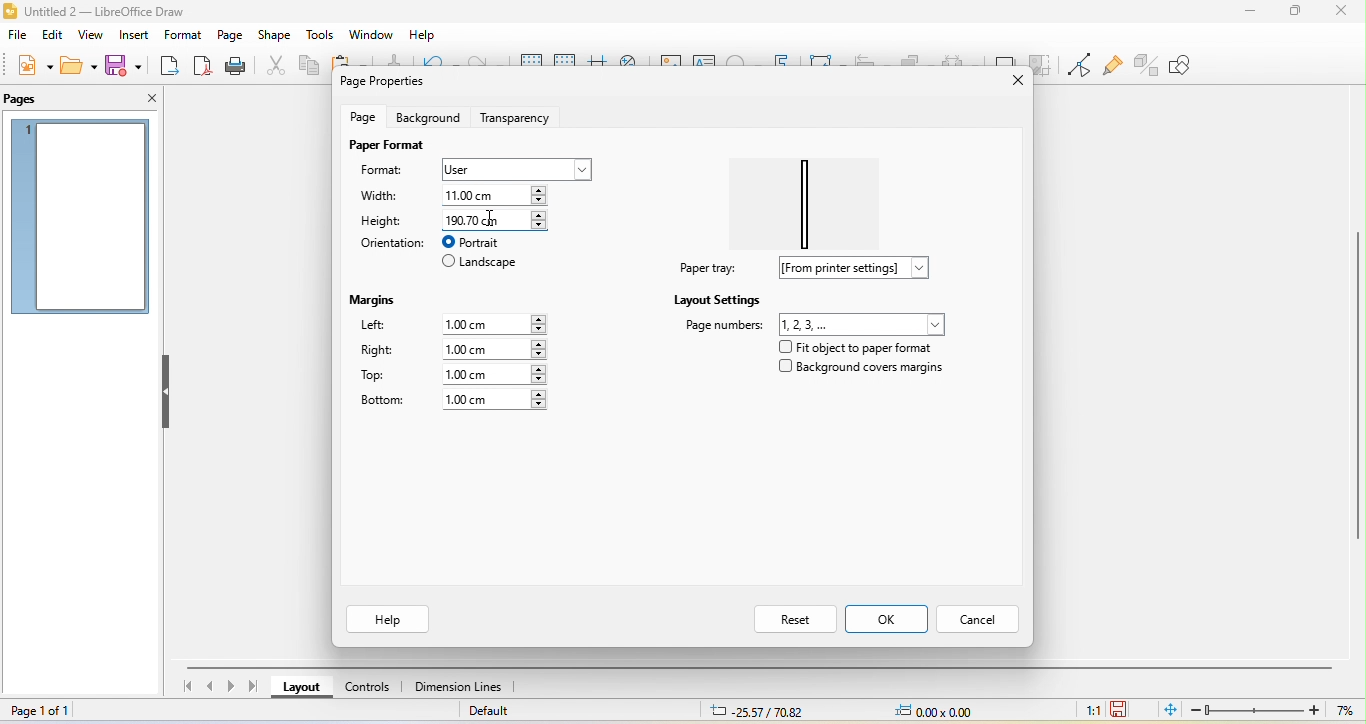 This screenshot has height=724, width=1366. I want to click on dimension line, so click(459, 688).